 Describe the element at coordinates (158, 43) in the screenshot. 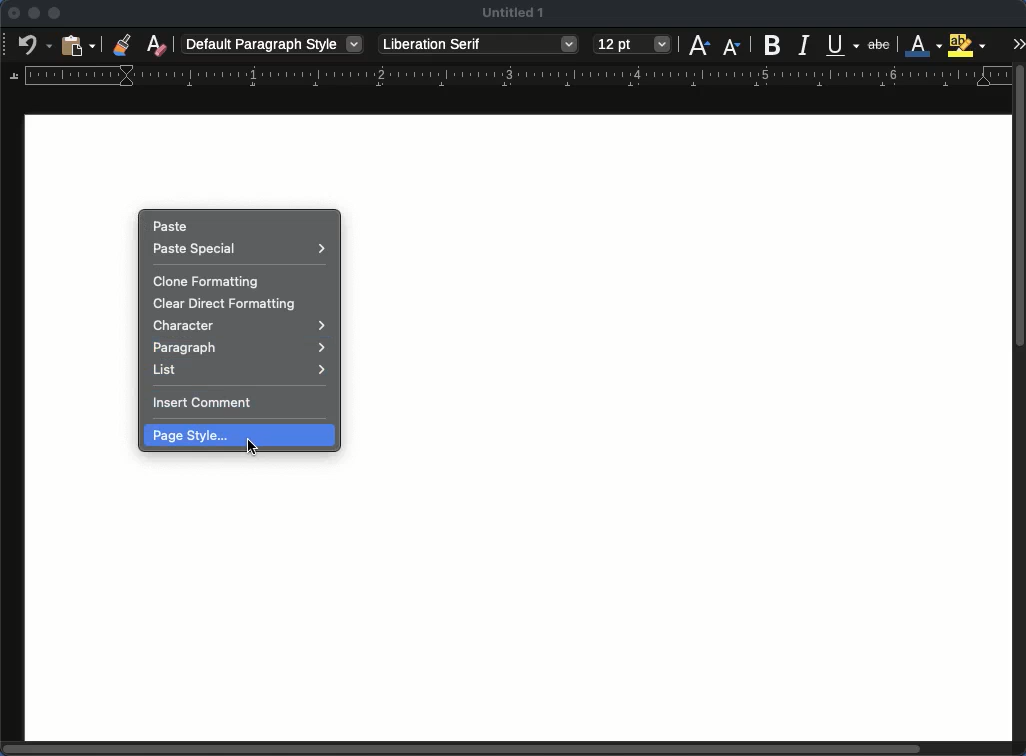

I see `clear formatting` at that location.